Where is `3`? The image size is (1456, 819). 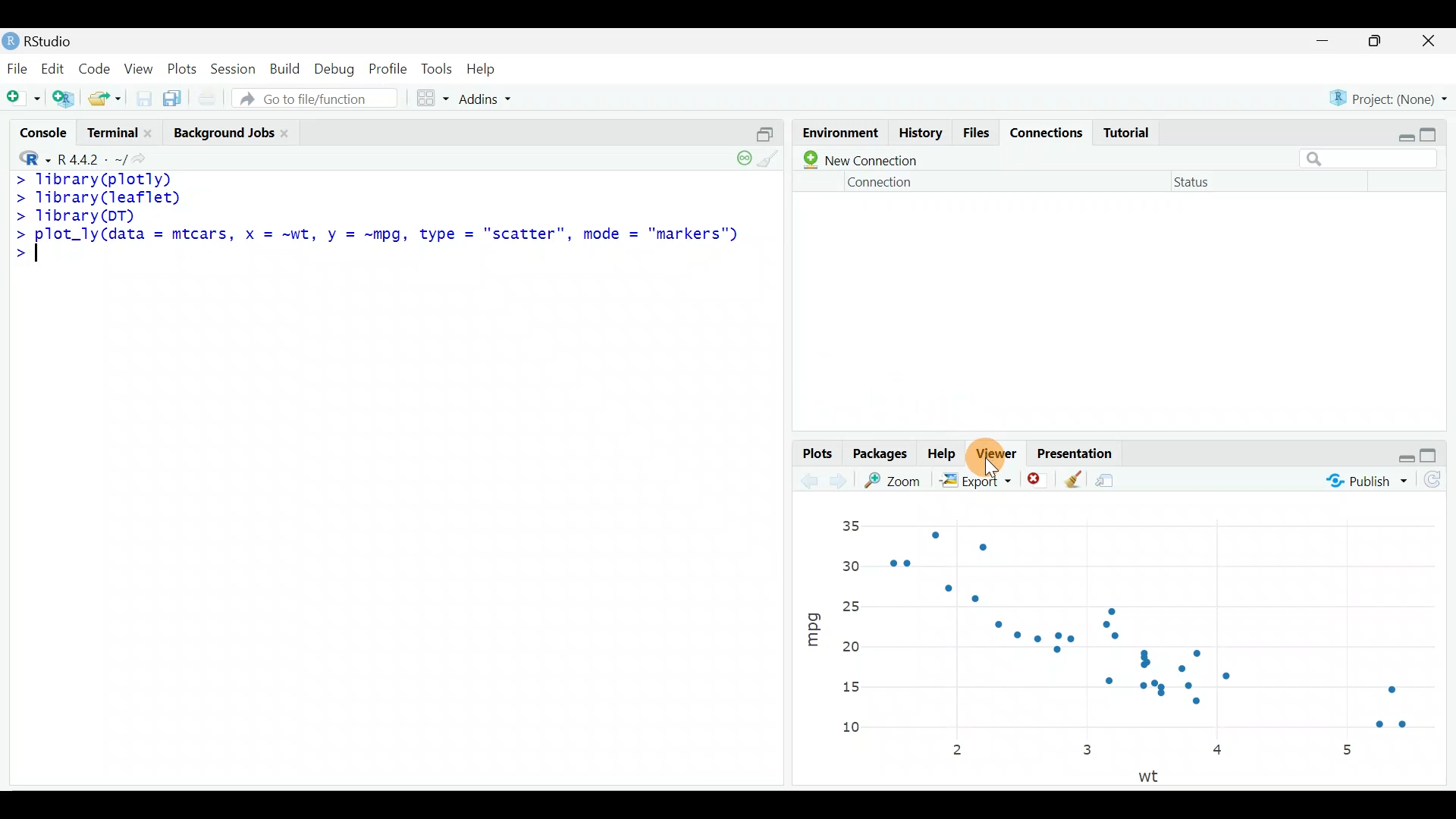 3 is located at coordinates (1093, 748).